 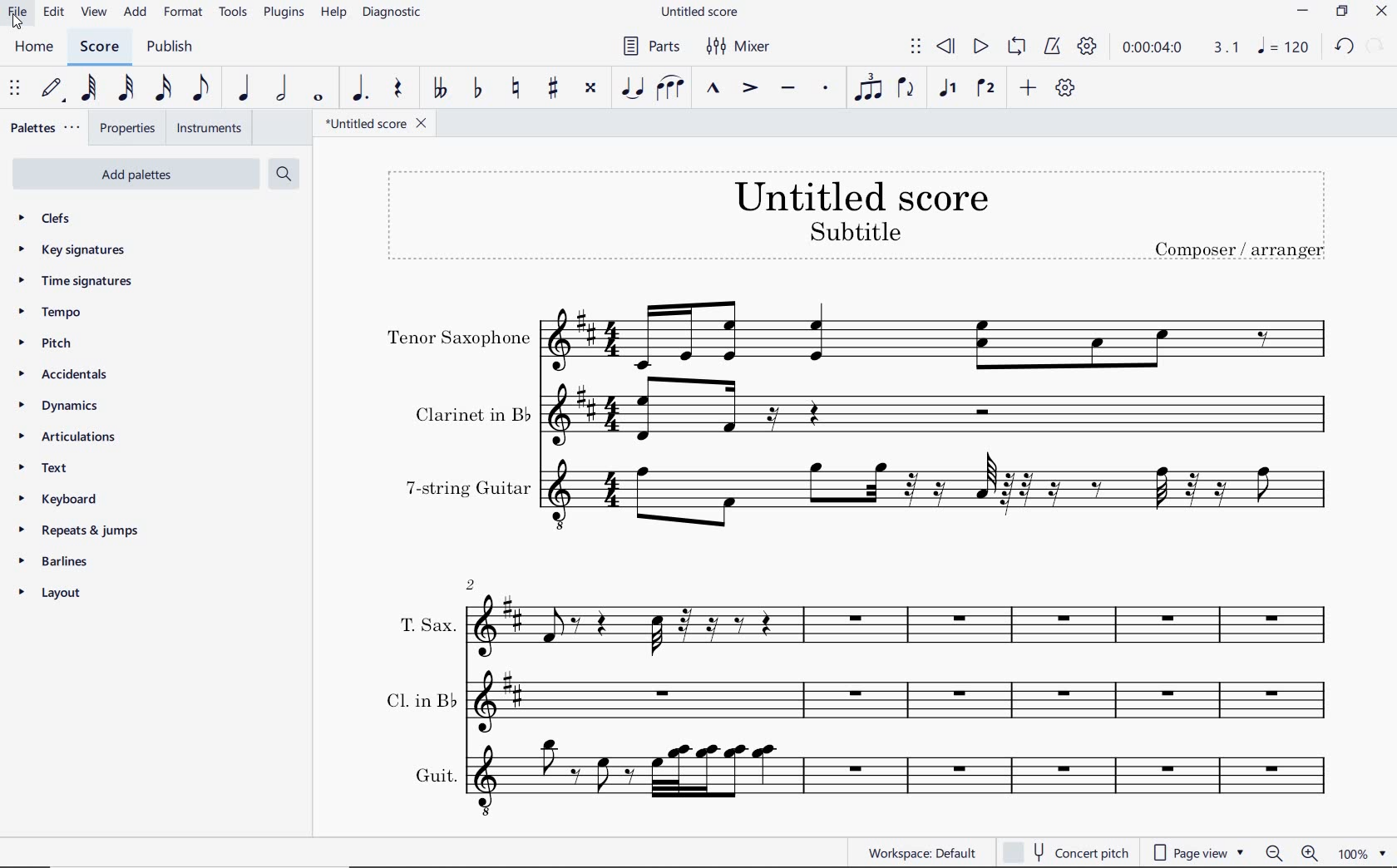 I want to click on METRONOME, so click(x=1054, y=47).